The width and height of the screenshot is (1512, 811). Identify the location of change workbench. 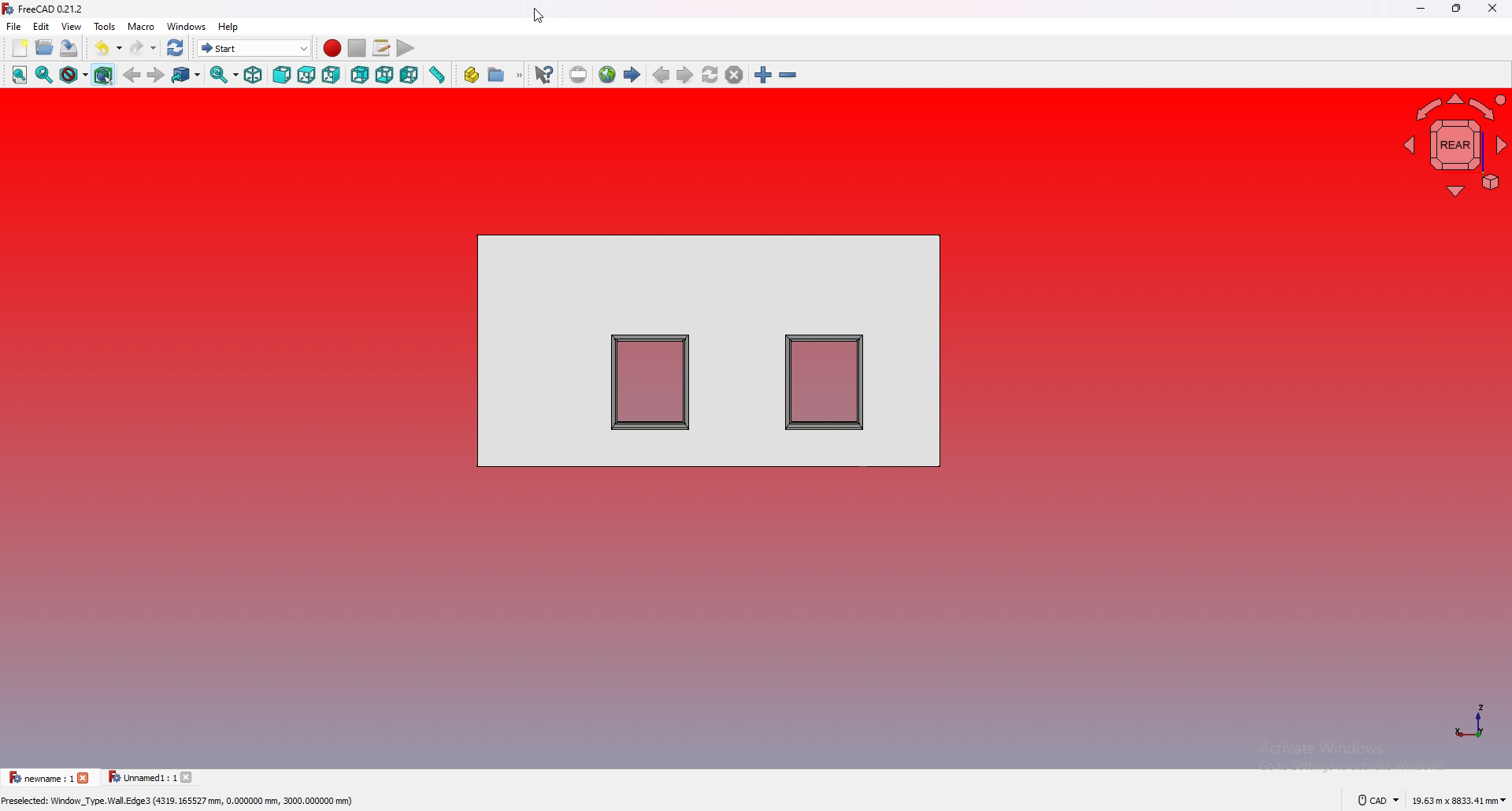
(255, 47).